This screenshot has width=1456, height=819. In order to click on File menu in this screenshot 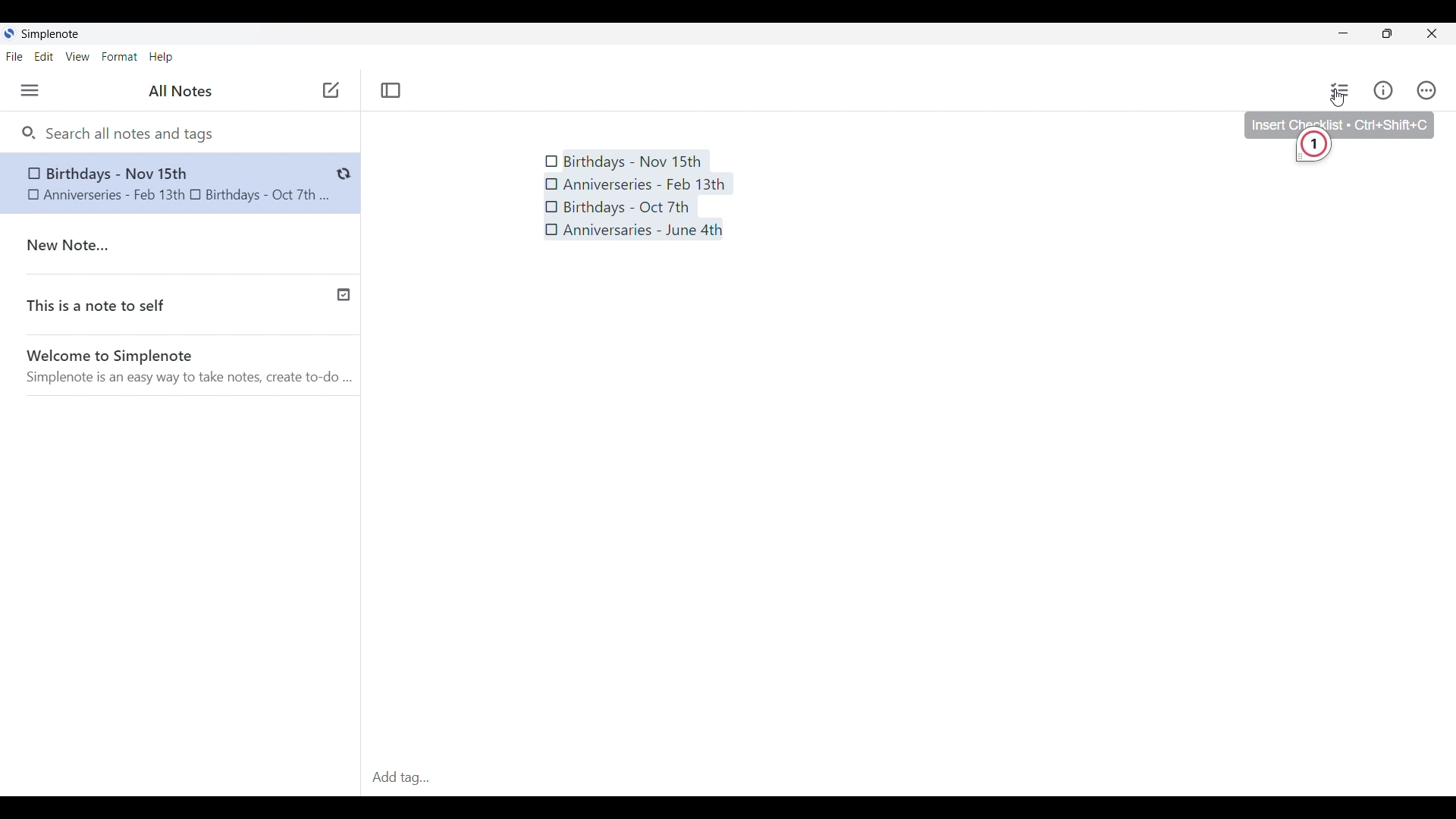, I will do `click(14, 56)`.